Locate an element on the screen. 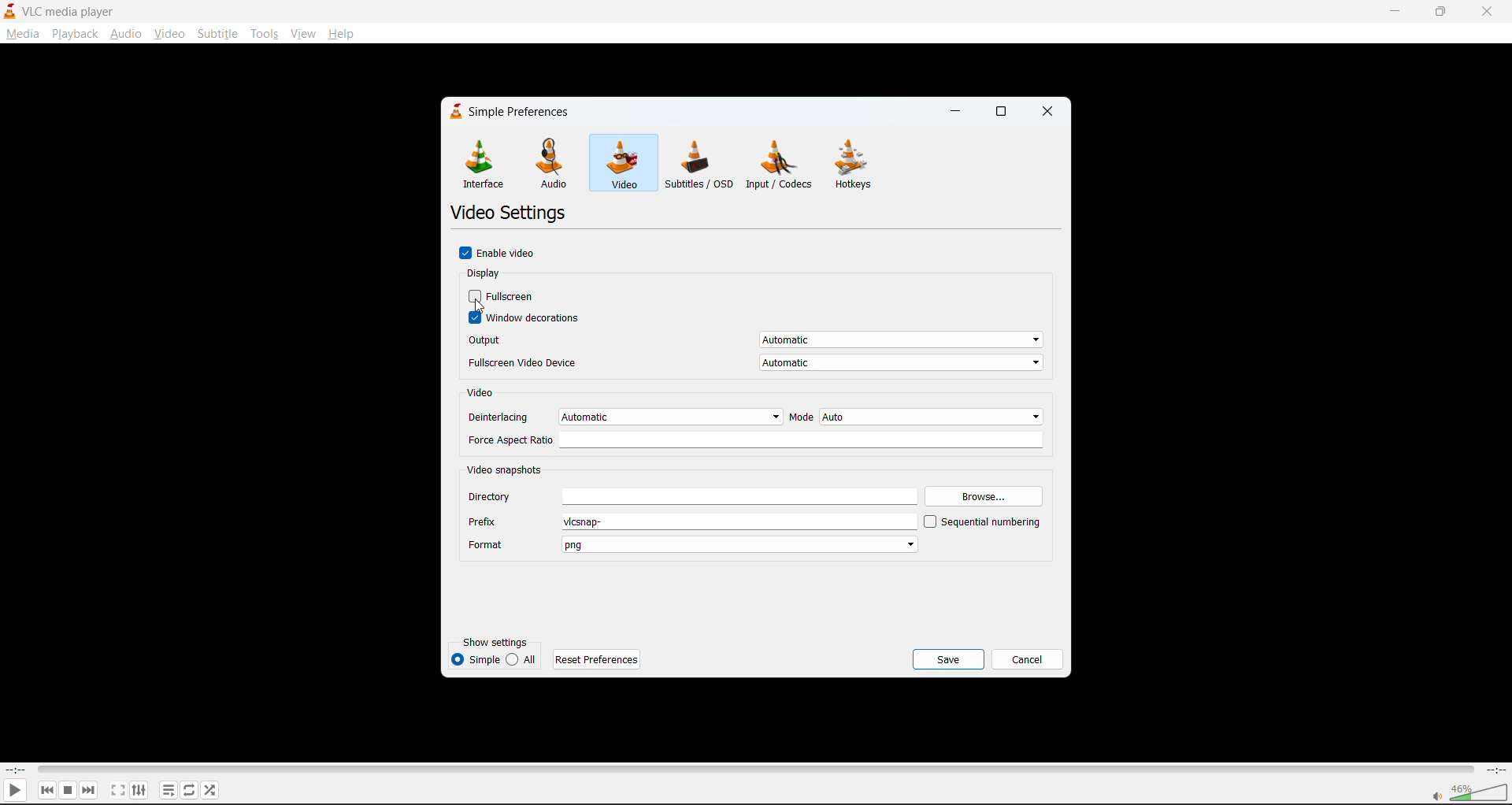  loop is located at coordinates (187, 789).